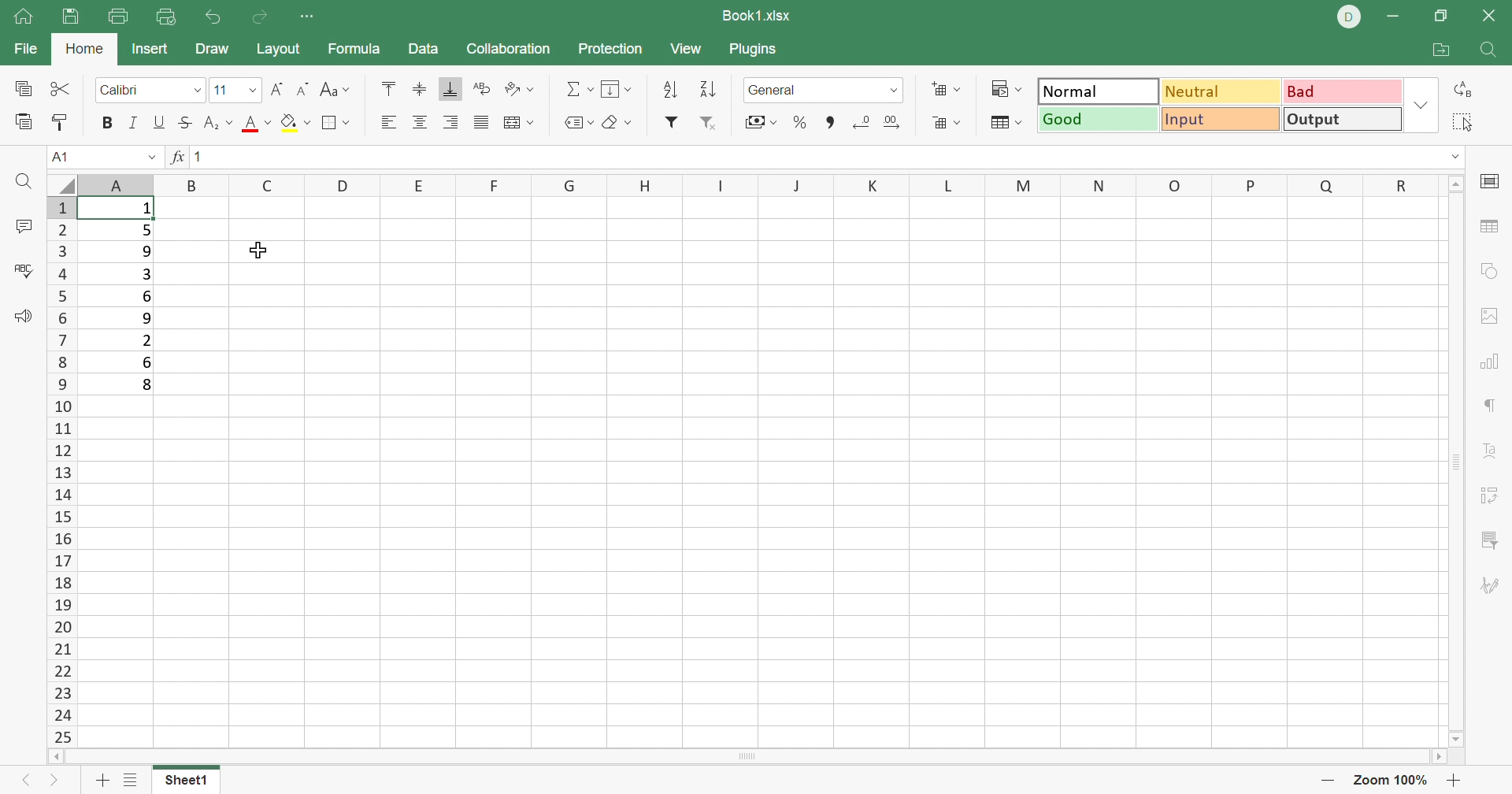 This screenshot has width=1512, height=794. Describe the element at coordinates (108, 122) in the screenshot. I see `Bold` at that location.